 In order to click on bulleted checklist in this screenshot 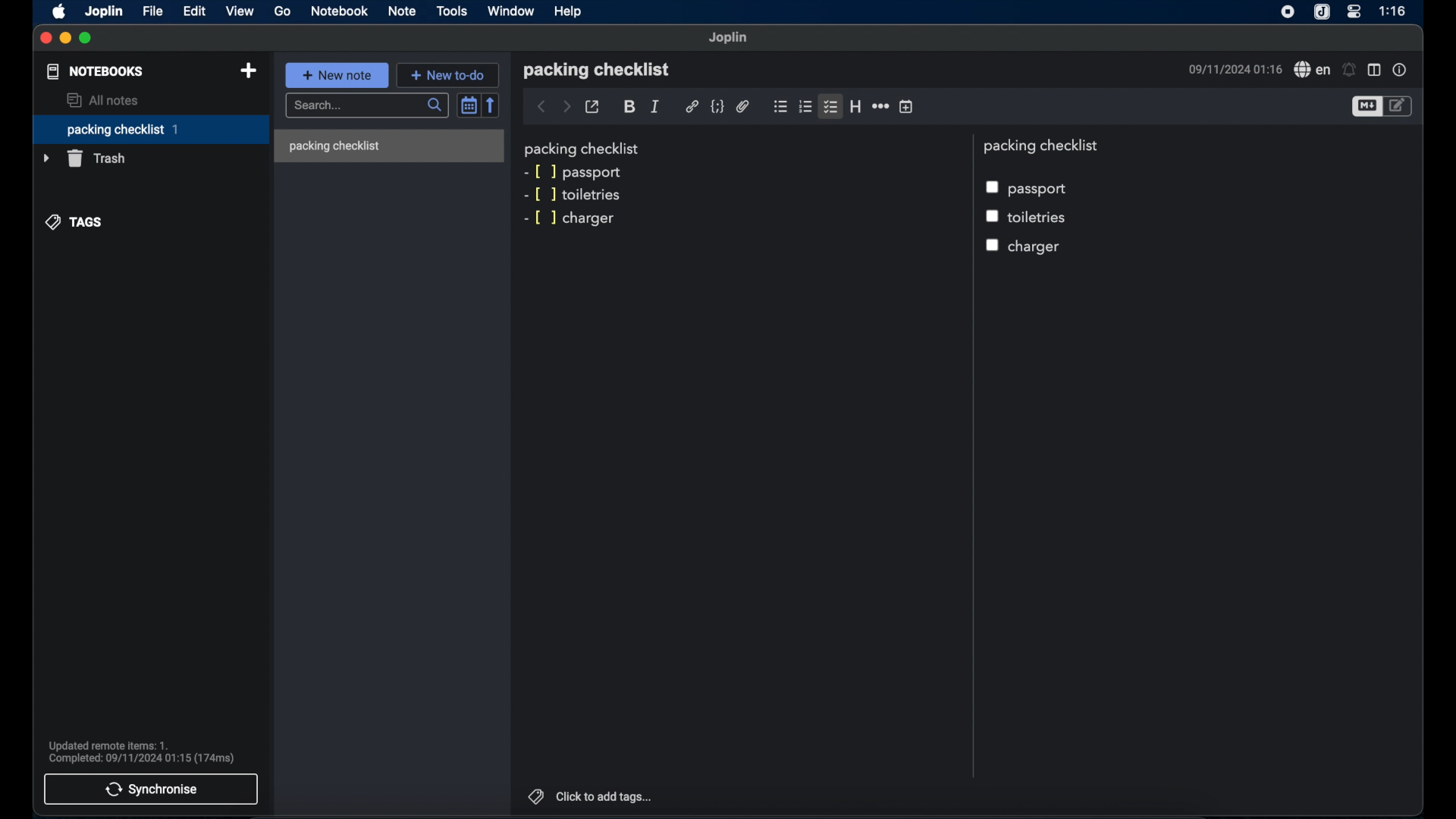, I will do `click(780, 108)`.